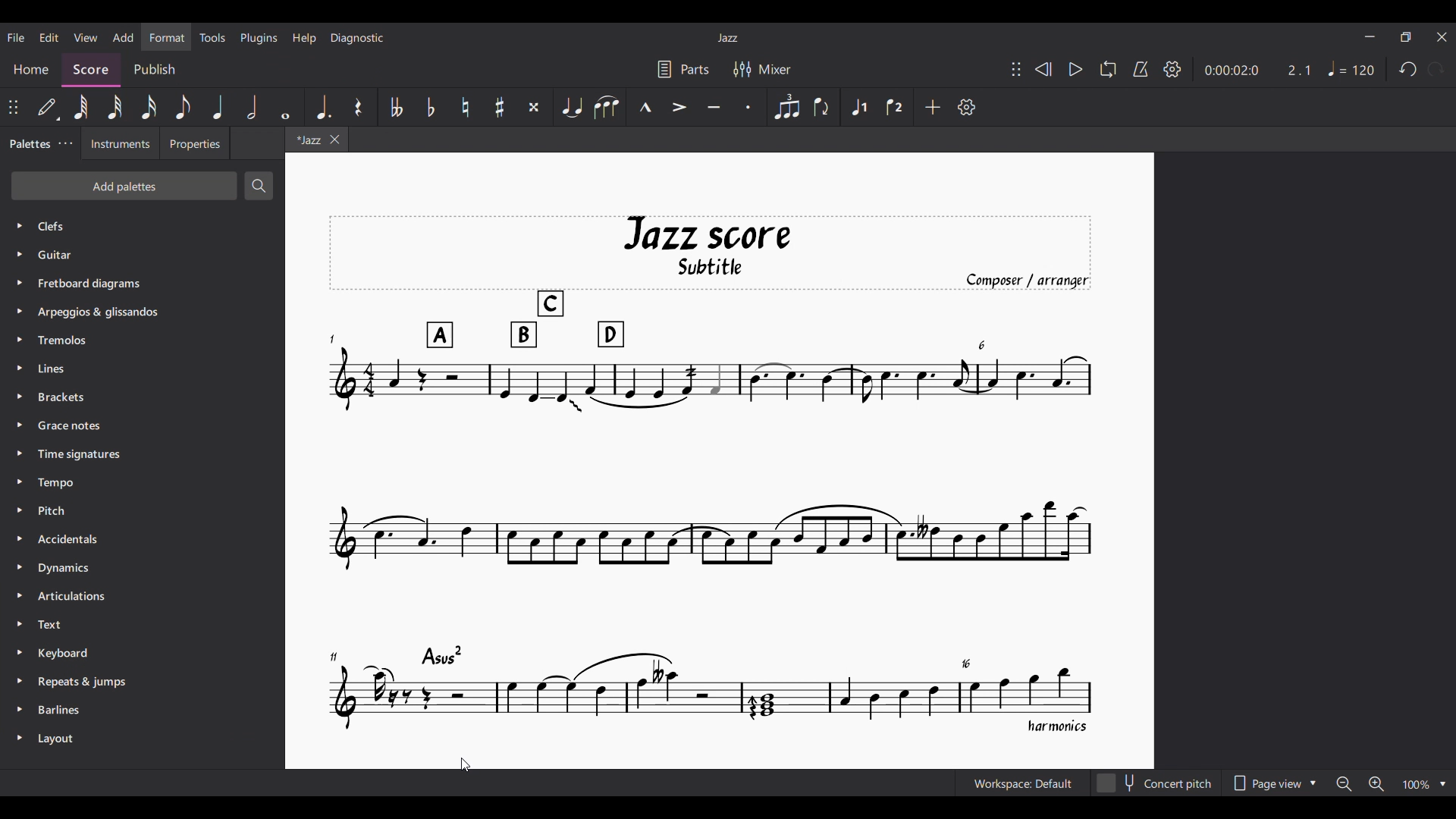 This screenshot has width=1456, height=819. I want to click on Grace Notes, so click(71, 426).